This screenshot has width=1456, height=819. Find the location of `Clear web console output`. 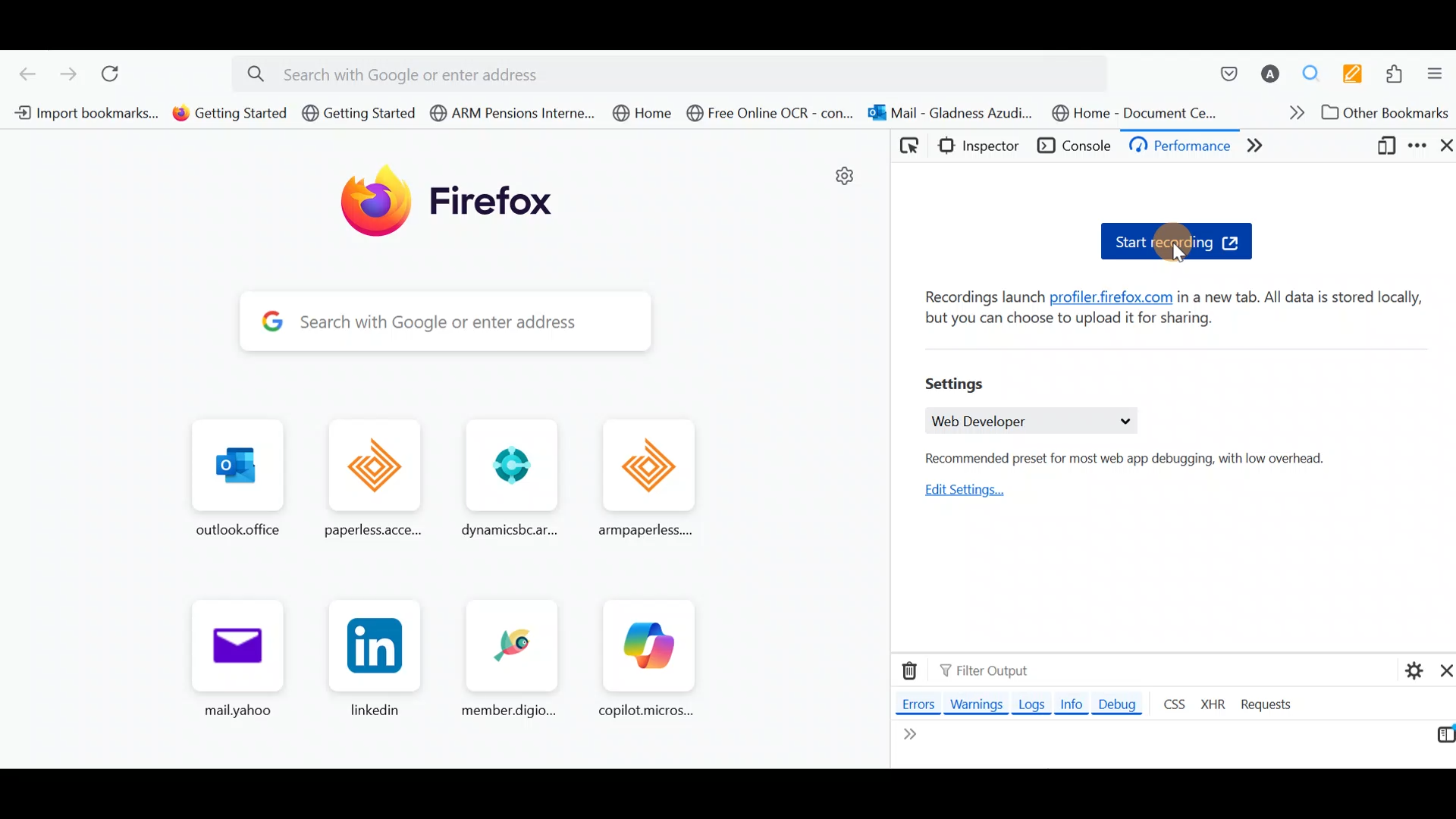

Clear web console output is located at coordinates (912, 672).